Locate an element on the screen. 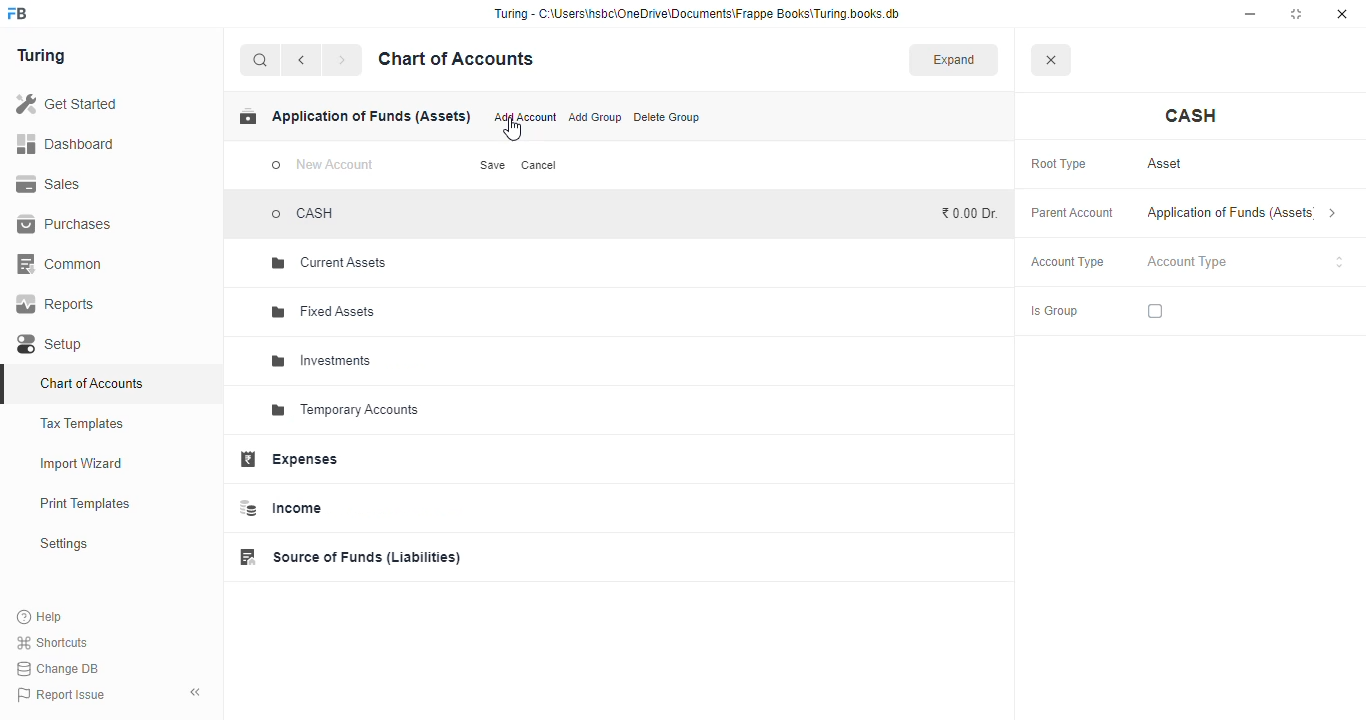  shortcuts is located at coordinates (53, 642).